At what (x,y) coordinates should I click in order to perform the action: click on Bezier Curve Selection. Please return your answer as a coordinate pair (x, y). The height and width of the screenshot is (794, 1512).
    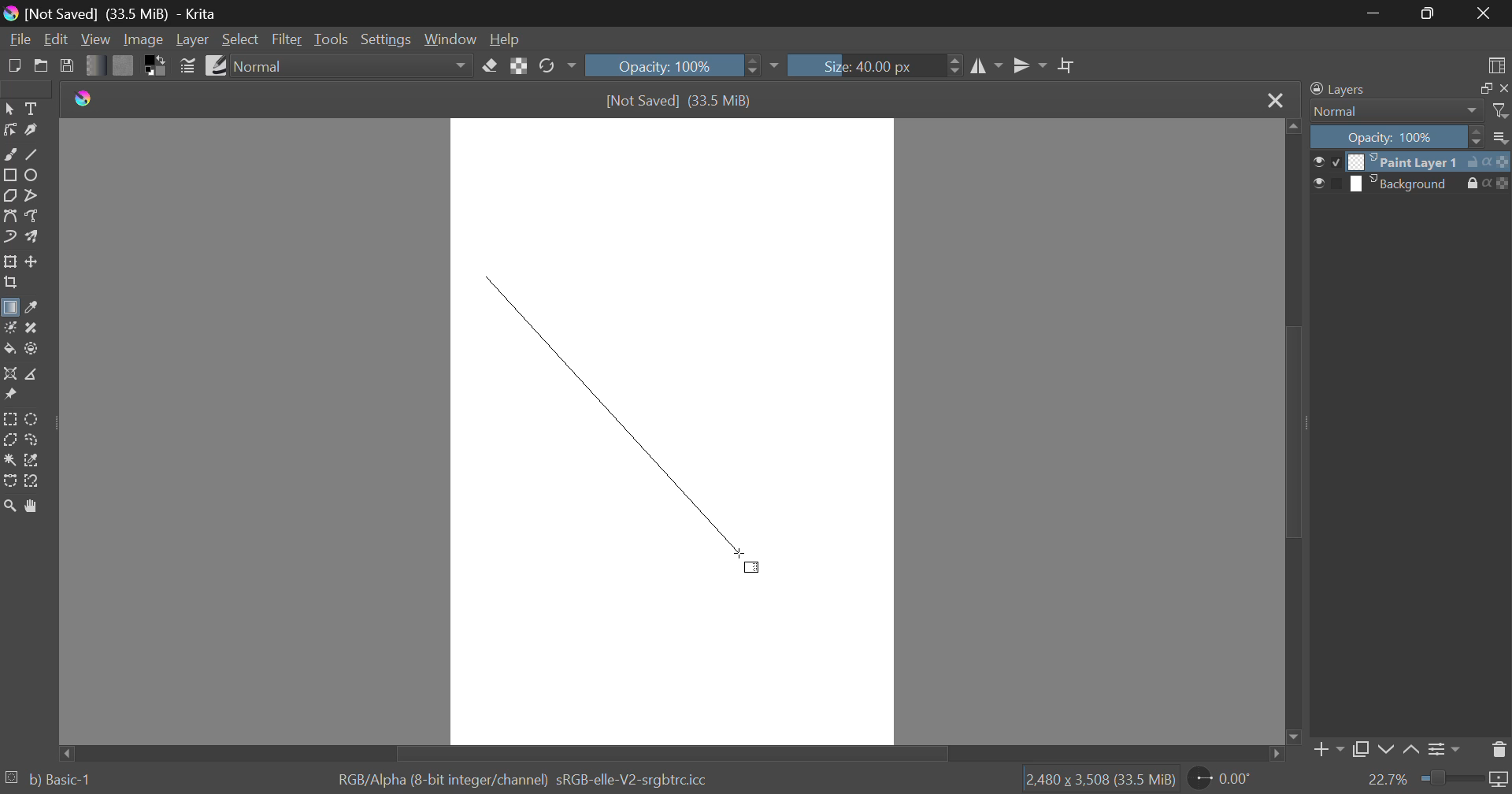
    Looking at the image, I should click on (9, 479).